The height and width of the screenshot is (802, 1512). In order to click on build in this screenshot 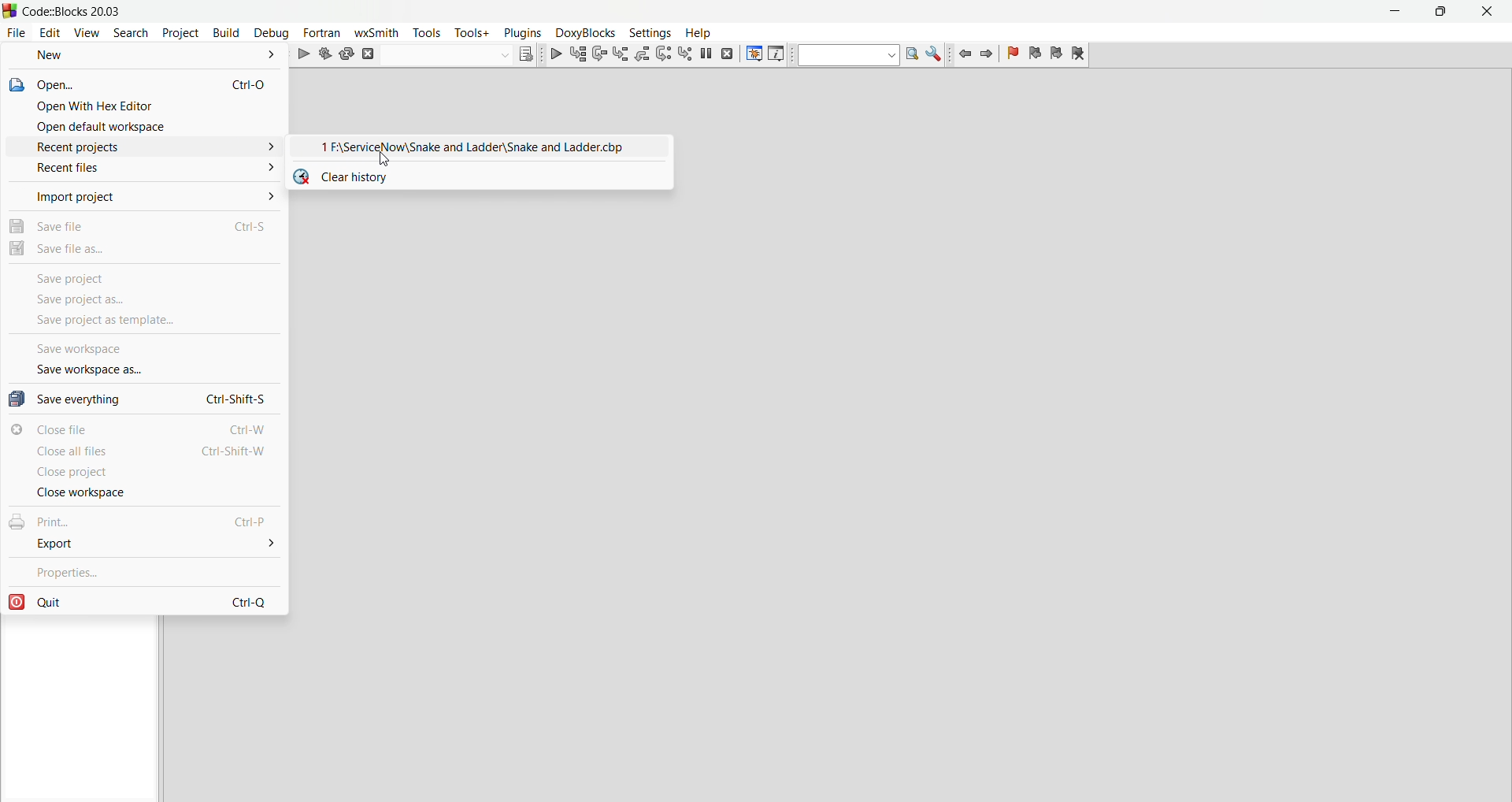, I will do `click(225, 33)`.